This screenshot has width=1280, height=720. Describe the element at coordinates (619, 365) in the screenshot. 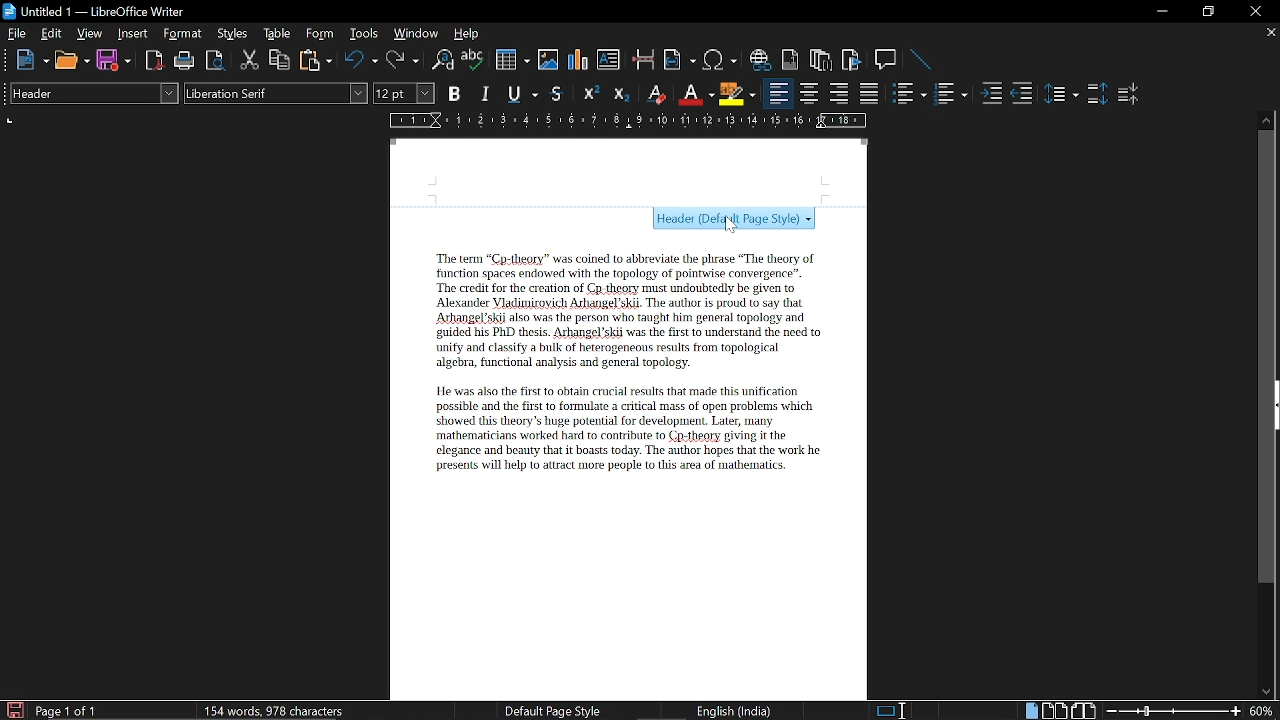

I see `Text` at that location.